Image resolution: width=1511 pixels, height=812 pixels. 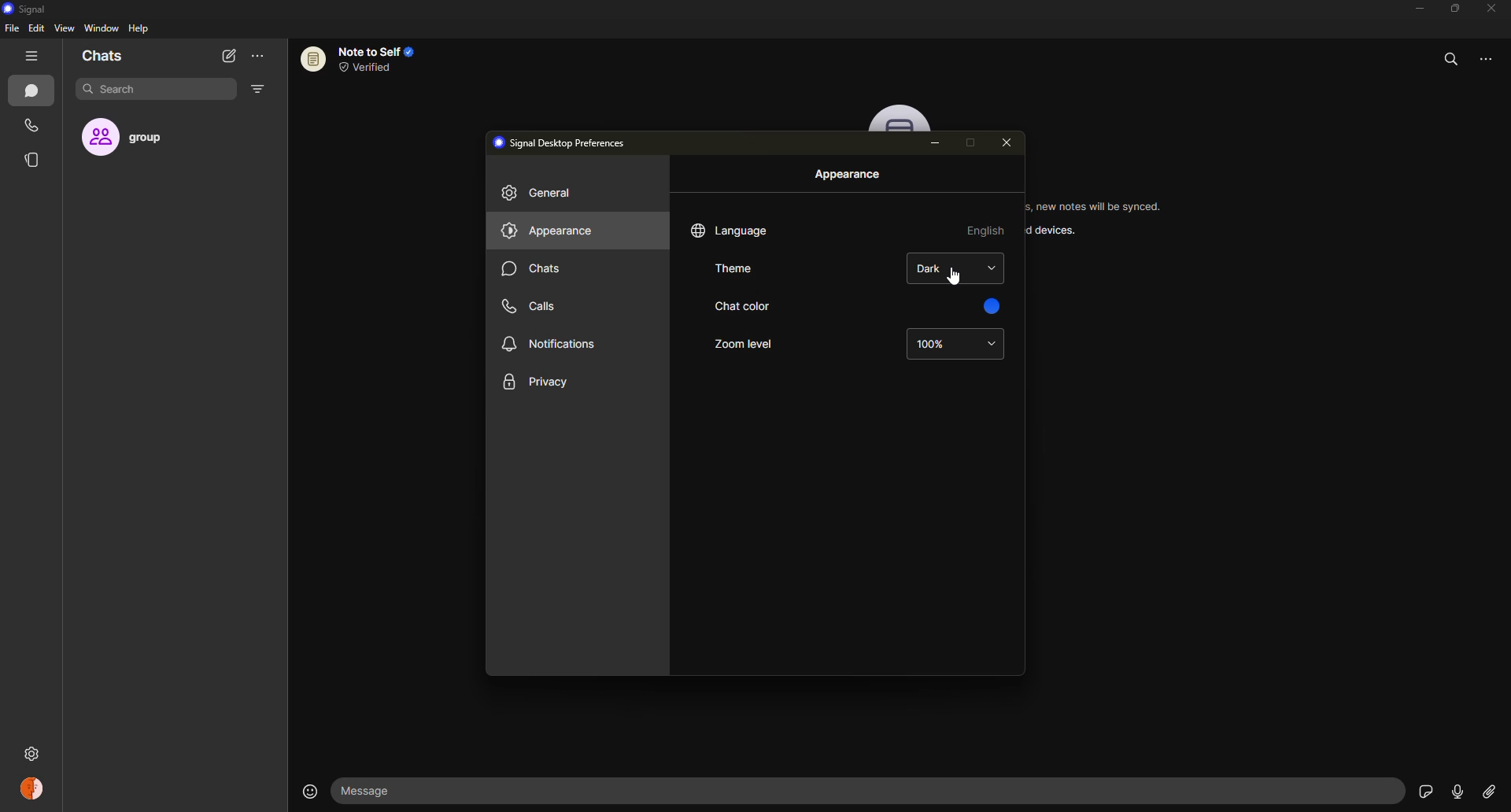 What do you see at coordinates (257, 90) in the screenshot?
I see `filter` at bounding box center [257, 90].